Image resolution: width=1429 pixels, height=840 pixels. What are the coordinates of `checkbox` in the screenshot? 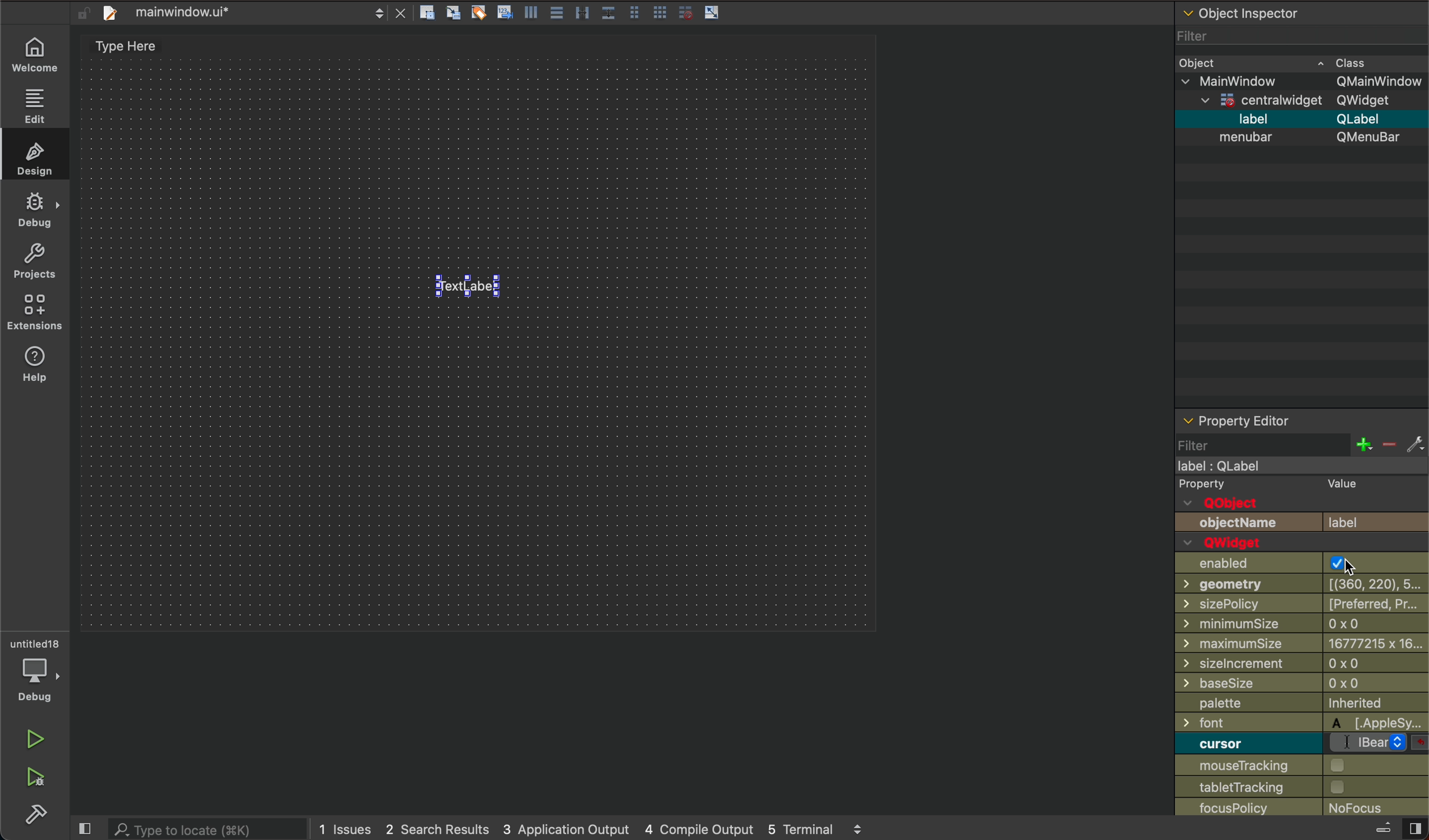 It's located at (1338, 787).